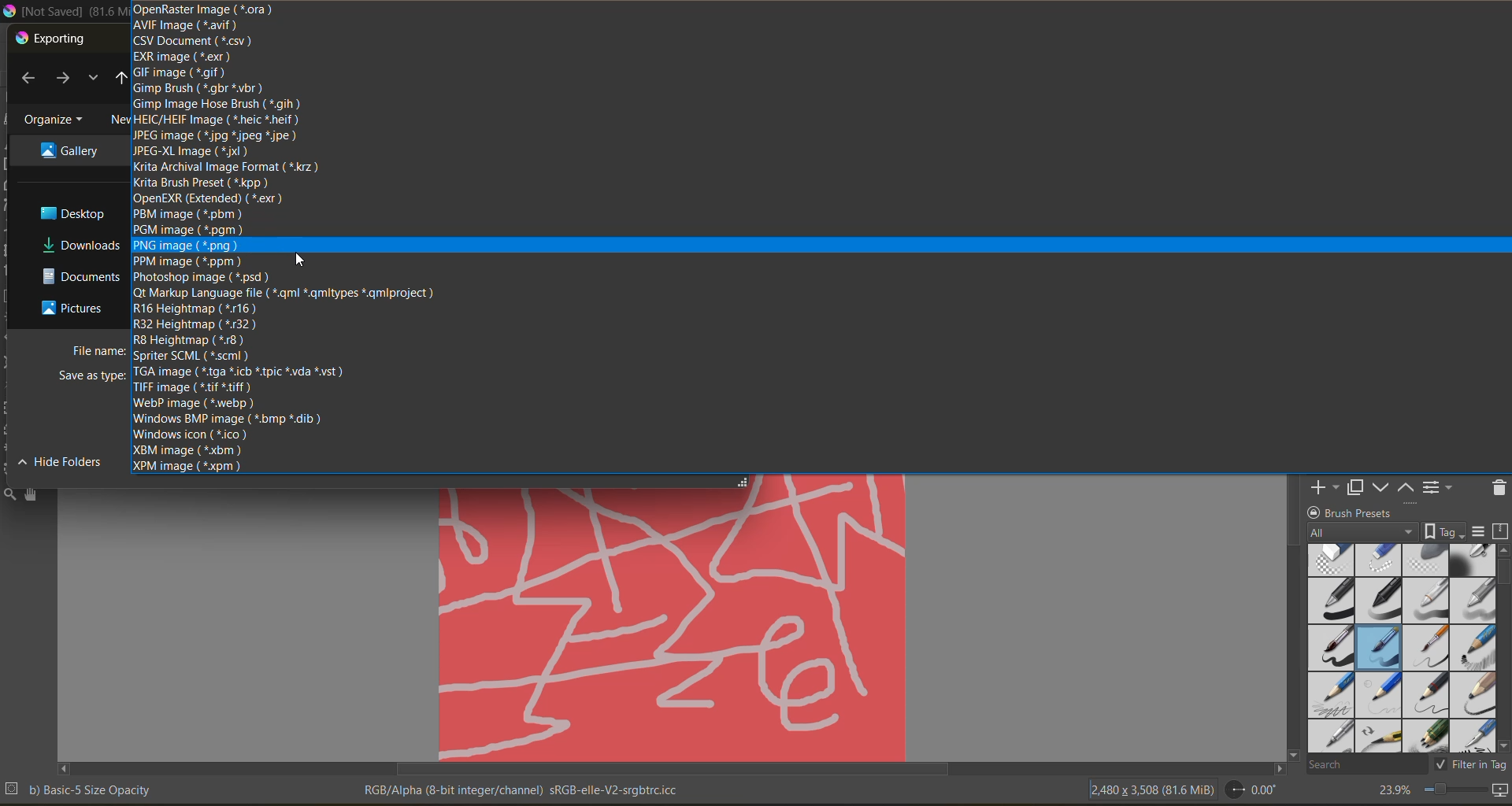  What do you see at coordinates (1251, 789) in the screenshot?
I see `flip angle` at bounding box center [1251, 789].